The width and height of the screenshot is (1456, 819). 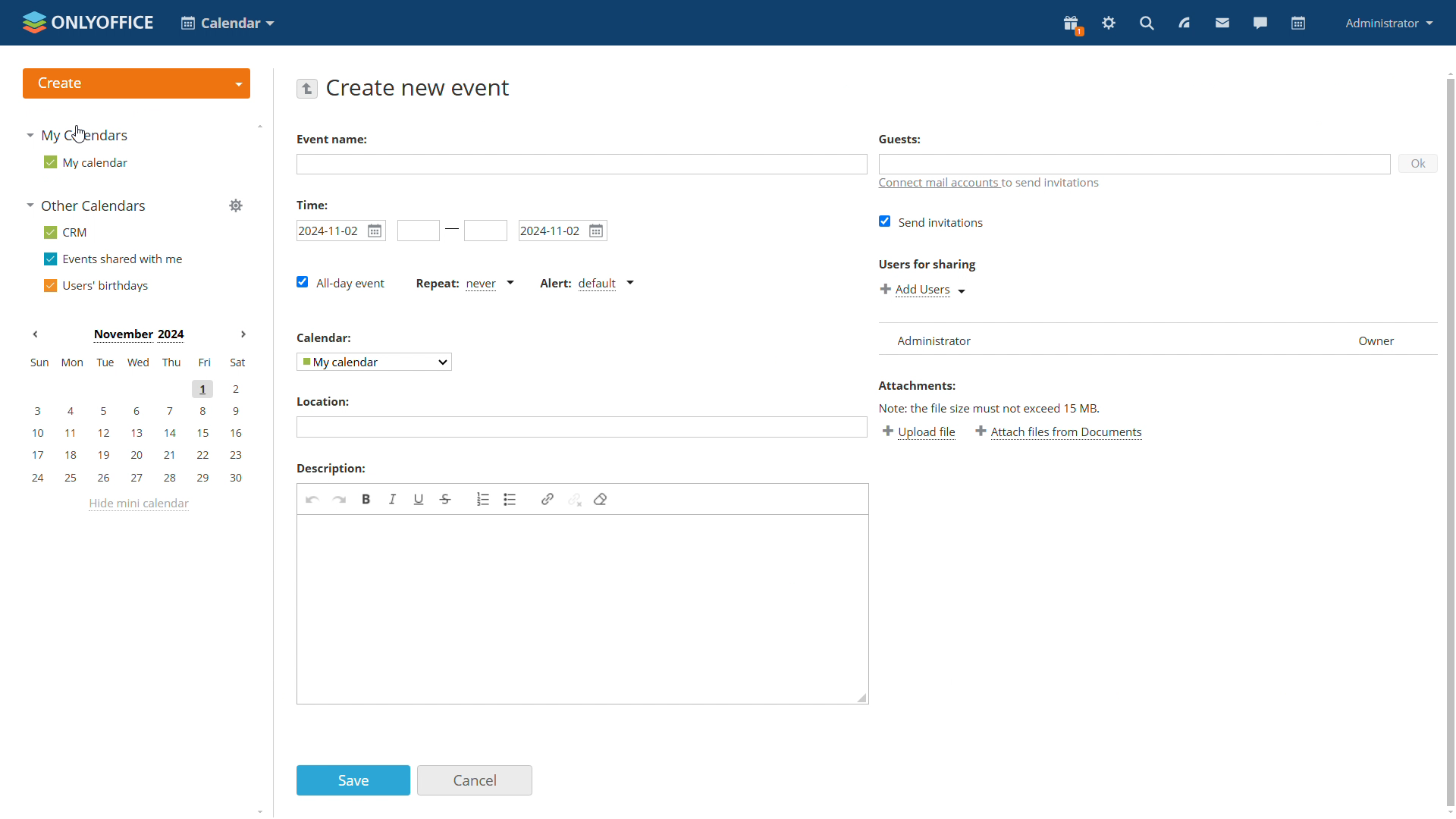 I want to click on add guest, so click(x=1136, y=164).